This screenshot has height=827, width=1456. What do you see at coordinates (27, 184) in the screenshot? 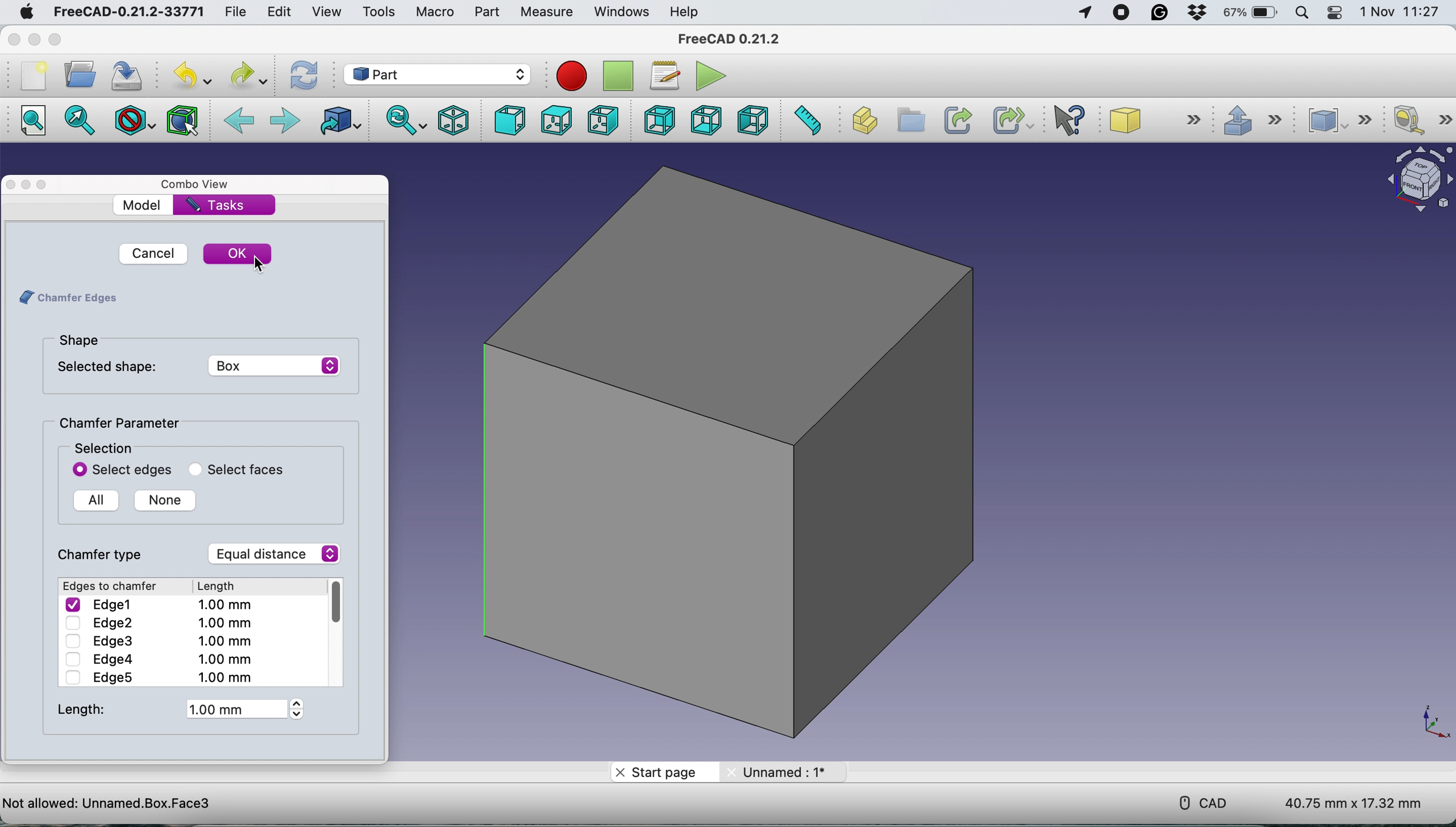
I see `minimise` at bounding box center [27, 184].